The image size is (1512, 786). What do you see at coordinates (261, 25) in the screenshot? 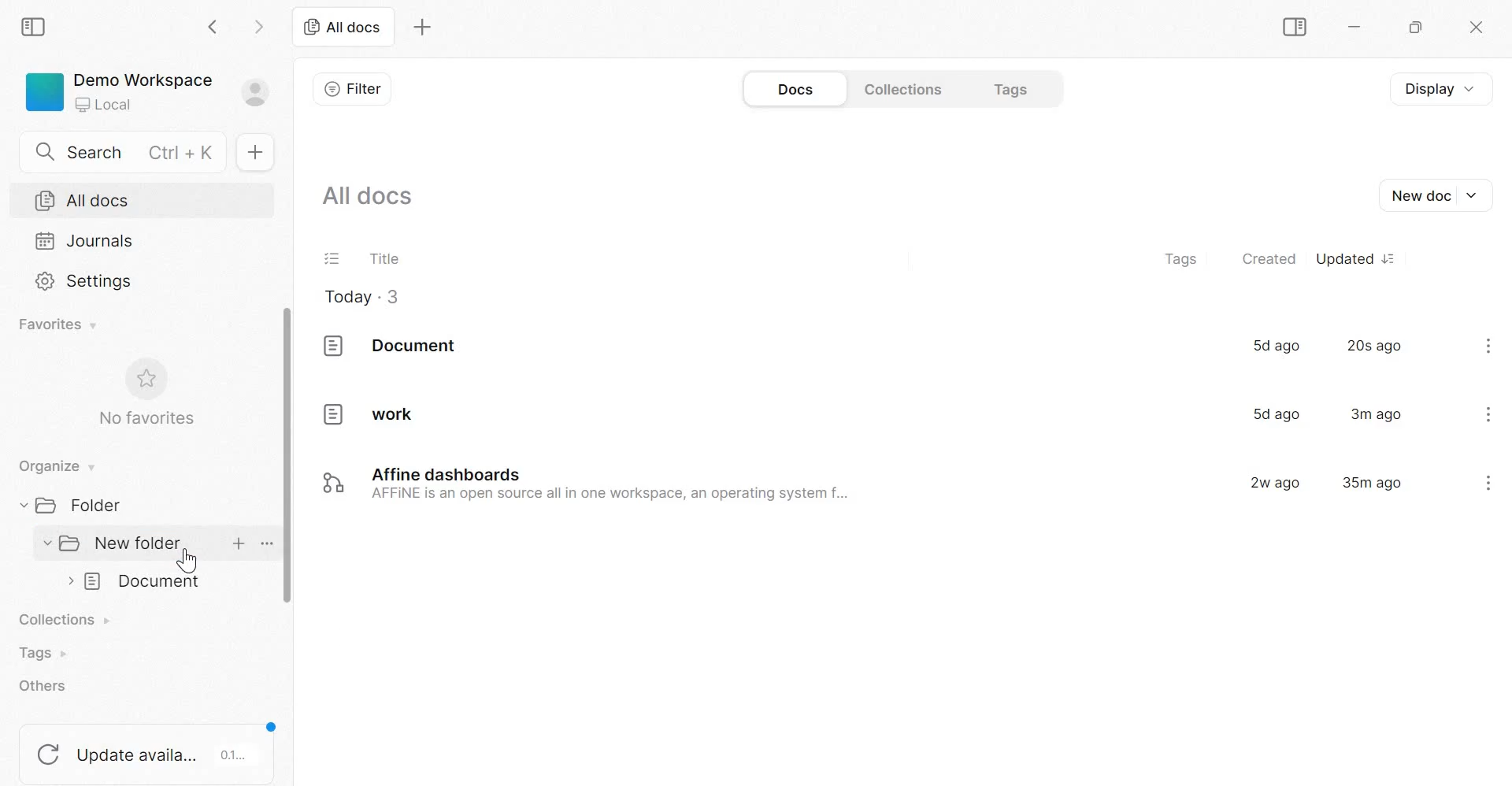
I see `go forward` at bounding box center [261, 25].